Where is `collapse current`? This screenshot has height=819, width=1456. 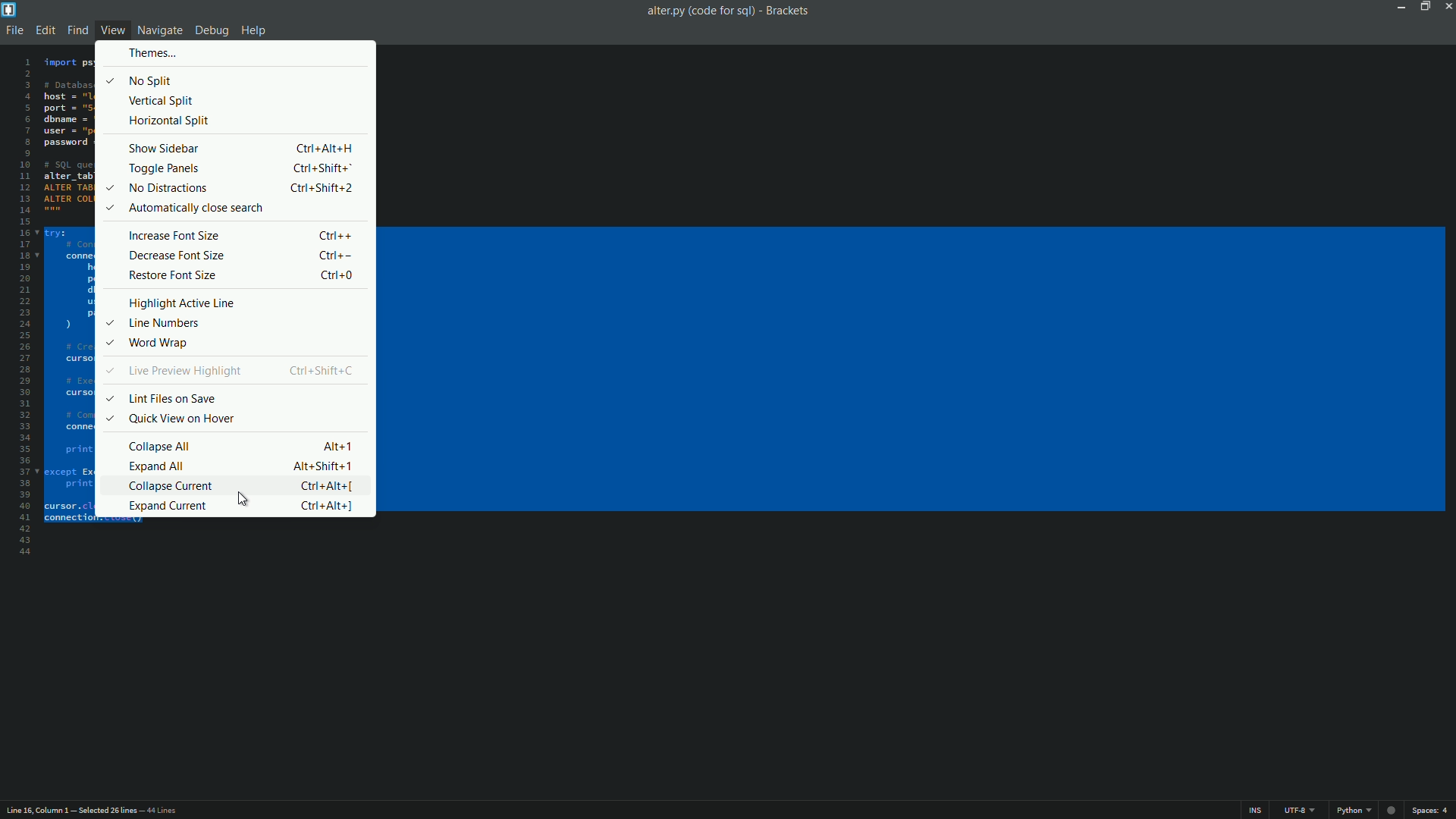 collapse current is located at coordinates (172, 487).